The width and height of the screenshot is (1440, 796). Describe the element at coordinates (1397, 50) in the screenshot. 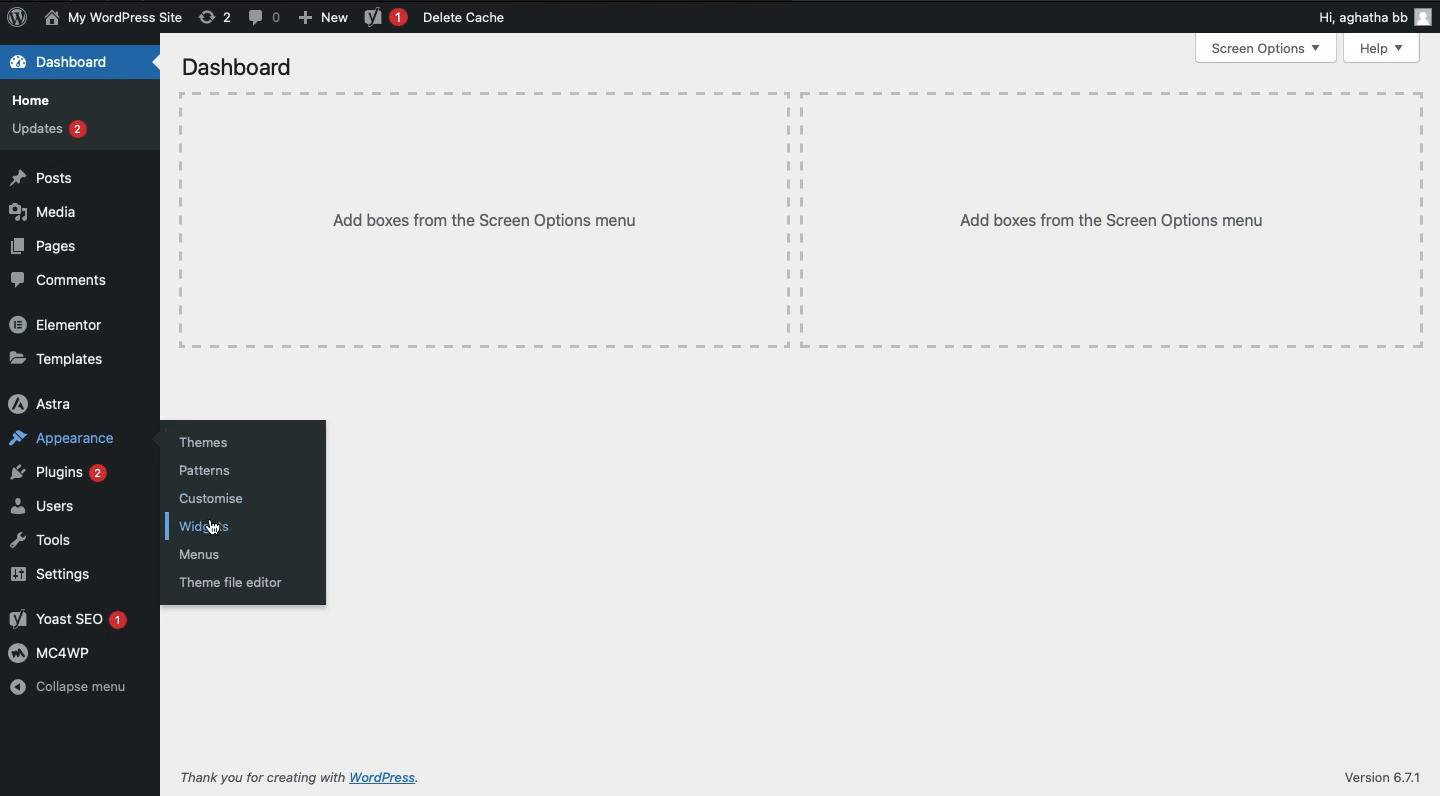

I see `` at that location.